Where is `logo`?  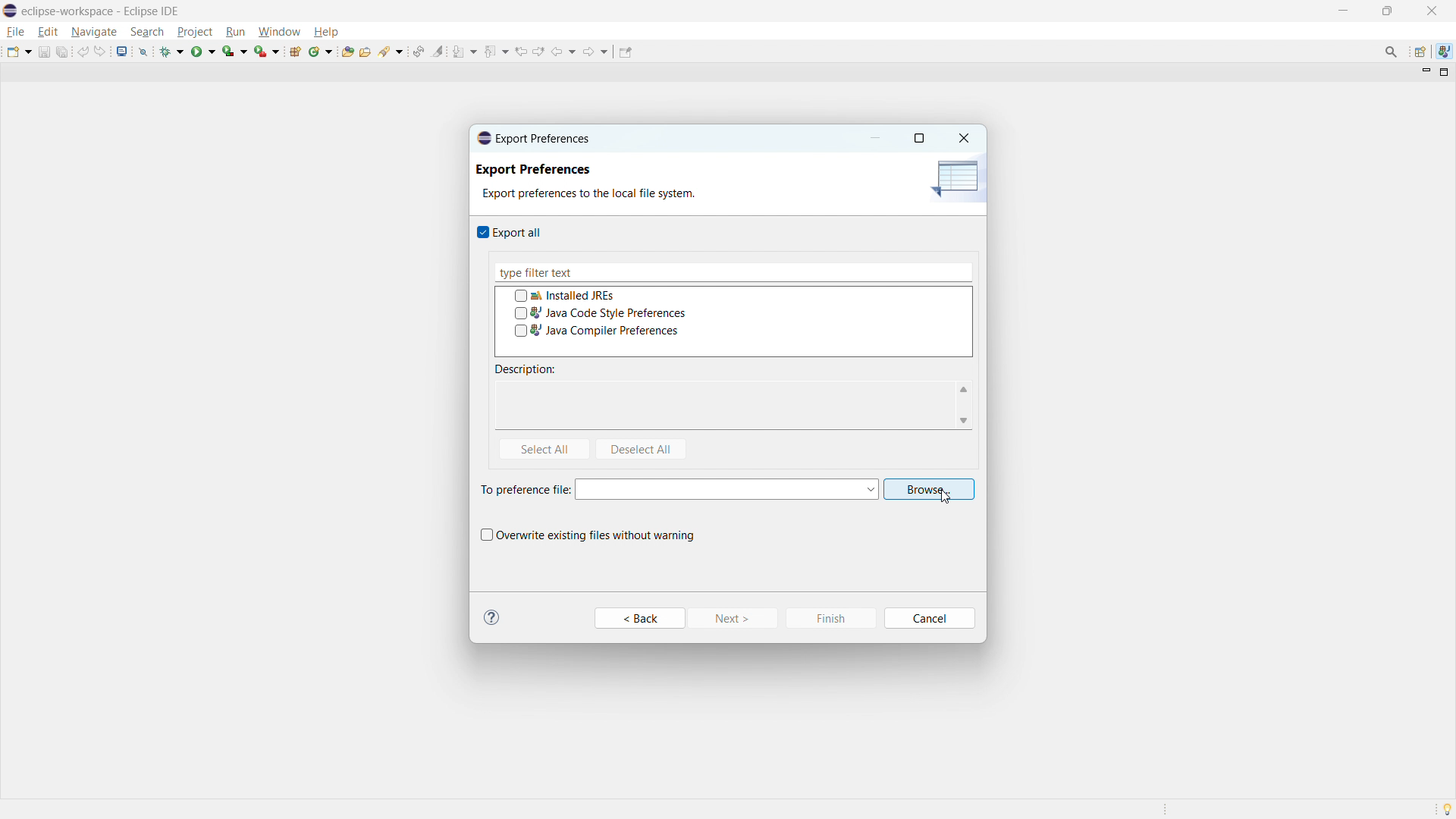 logo is located at coordinates (10, 11).